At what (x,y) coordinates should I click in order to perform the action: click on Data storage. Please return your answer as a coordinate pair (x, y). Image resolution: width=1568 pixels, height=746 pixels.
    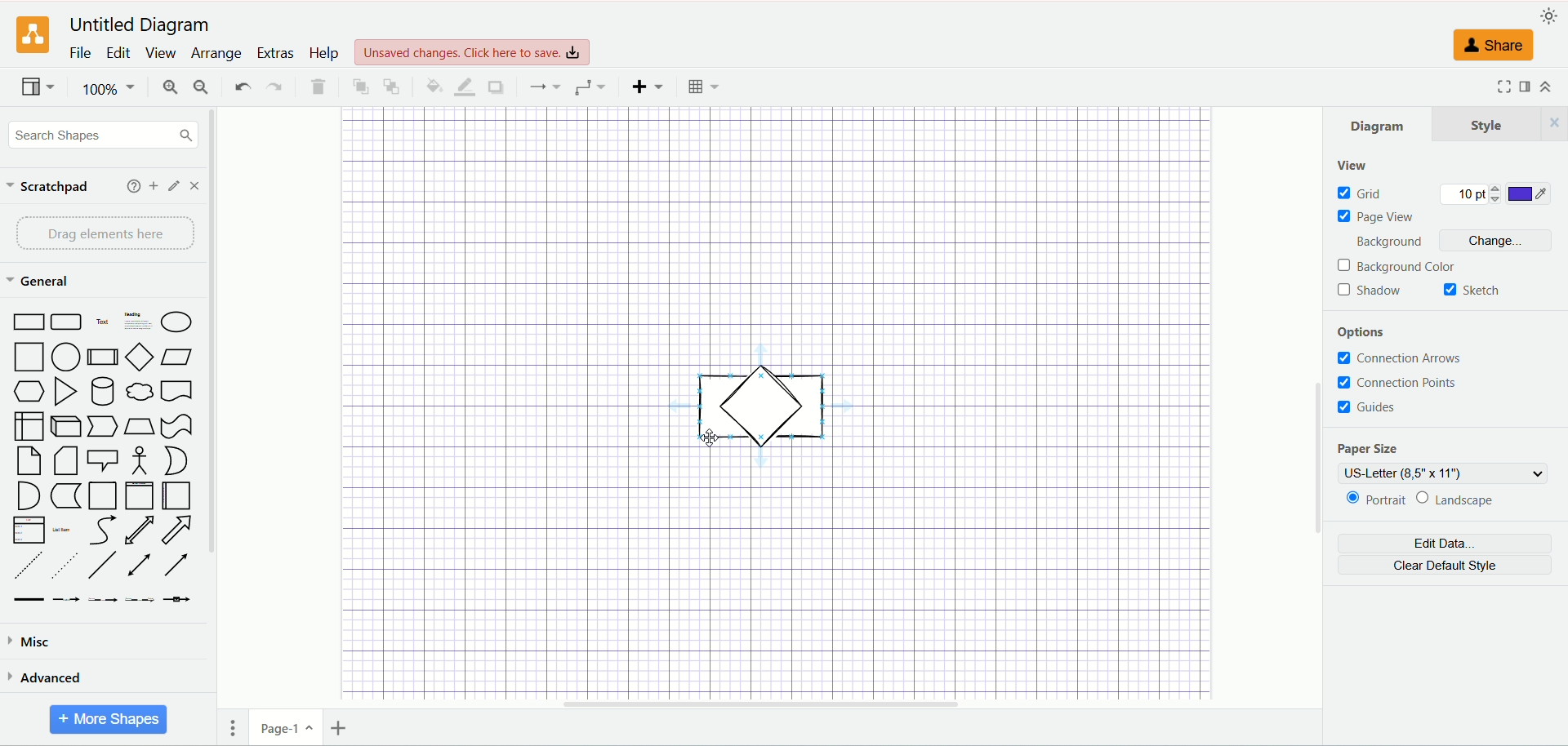
    Looking at the image, I should click on (65, 498).